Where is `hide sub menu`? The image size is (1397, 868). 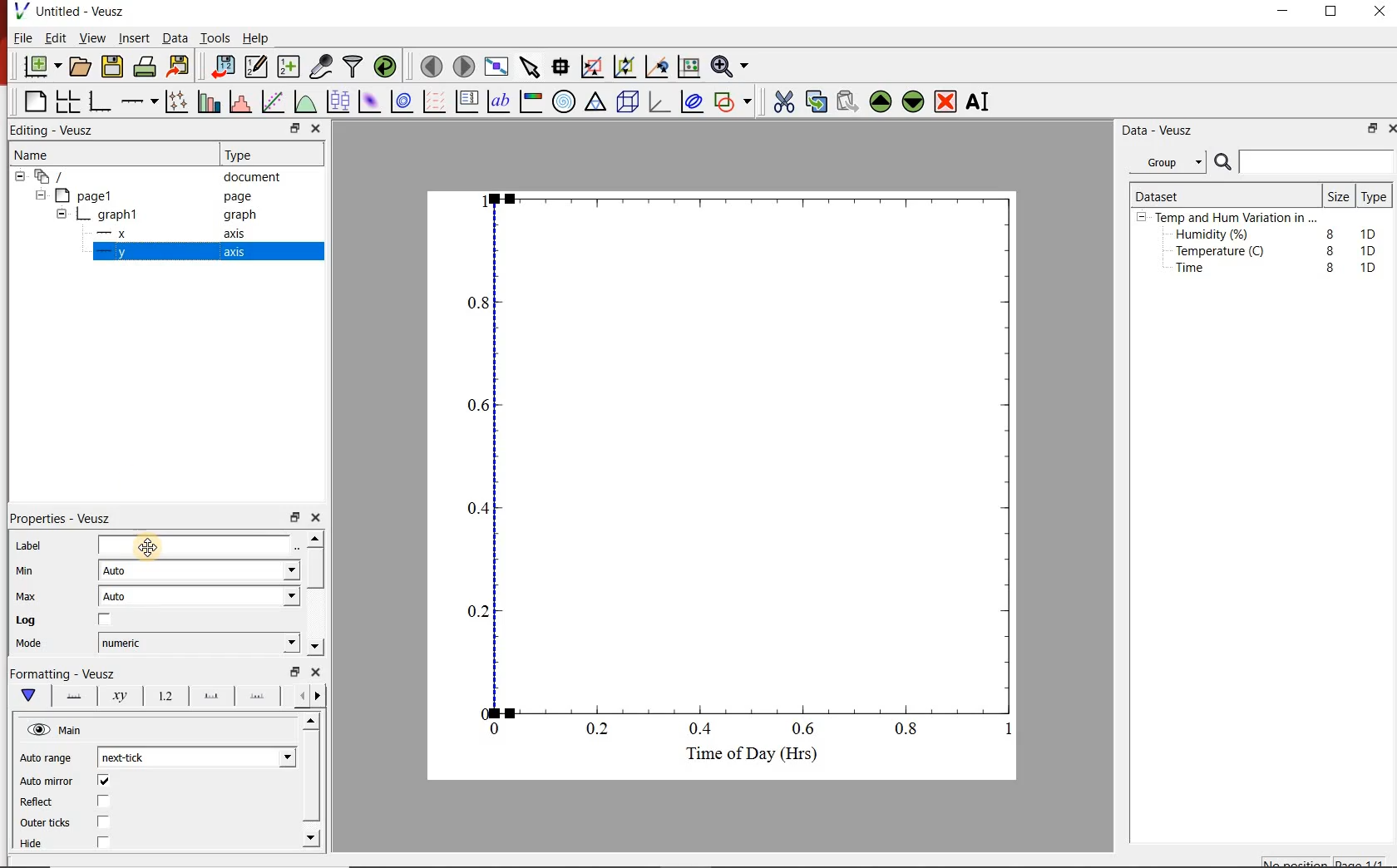
hide sub menu is located at coordinates (1142, 219).